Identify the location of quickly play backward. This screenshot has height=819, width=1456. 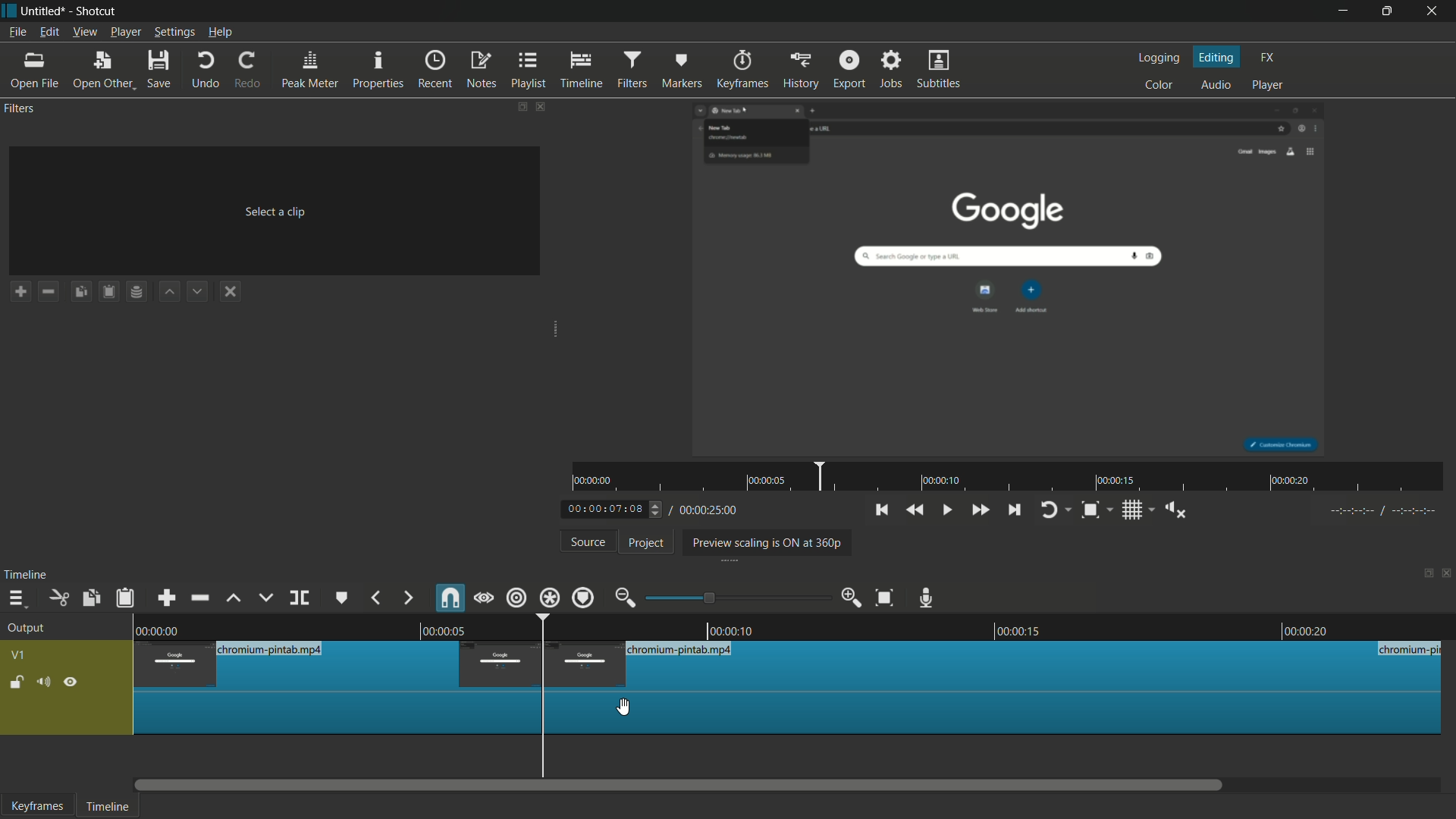
(914, 509).